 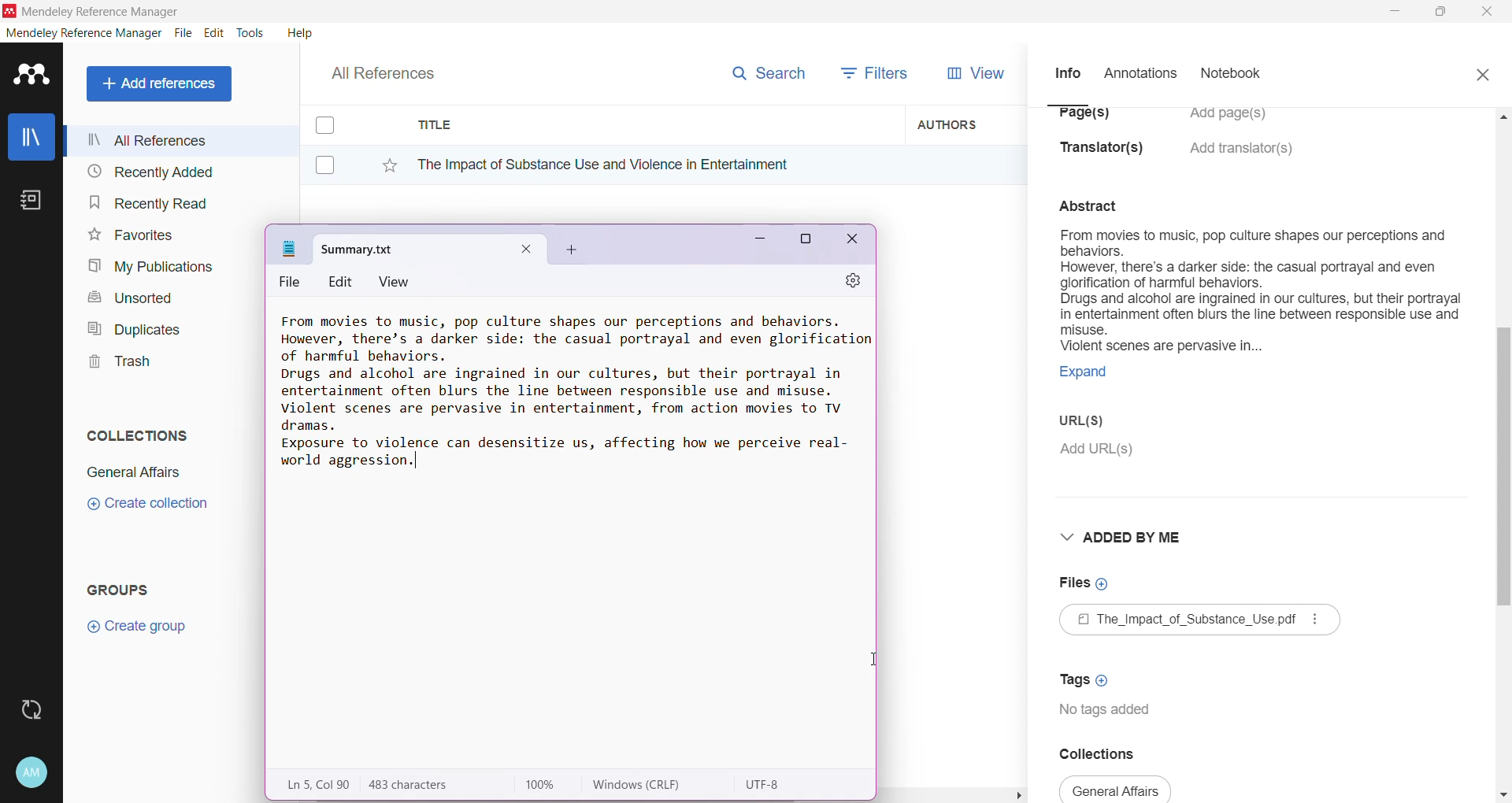 What do you see at coordinates (129, 235) in the screenshot?
I see `Favorites` at bounding box center [129, 235].